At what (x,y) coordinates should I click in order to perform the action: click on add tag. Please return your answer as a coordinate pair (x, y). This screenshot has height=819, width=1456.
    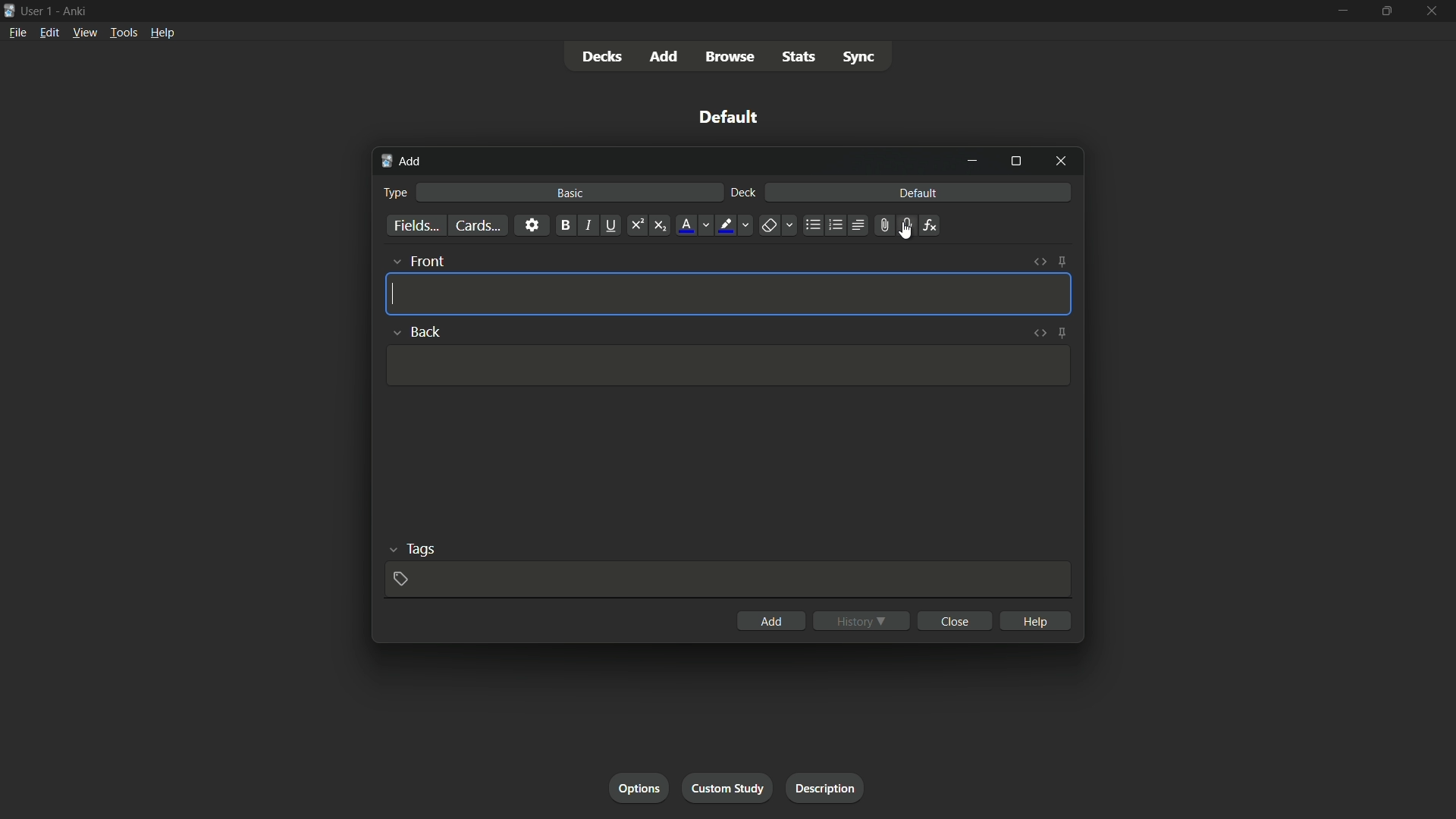
    Looking at the image, I should click on (401, 578).